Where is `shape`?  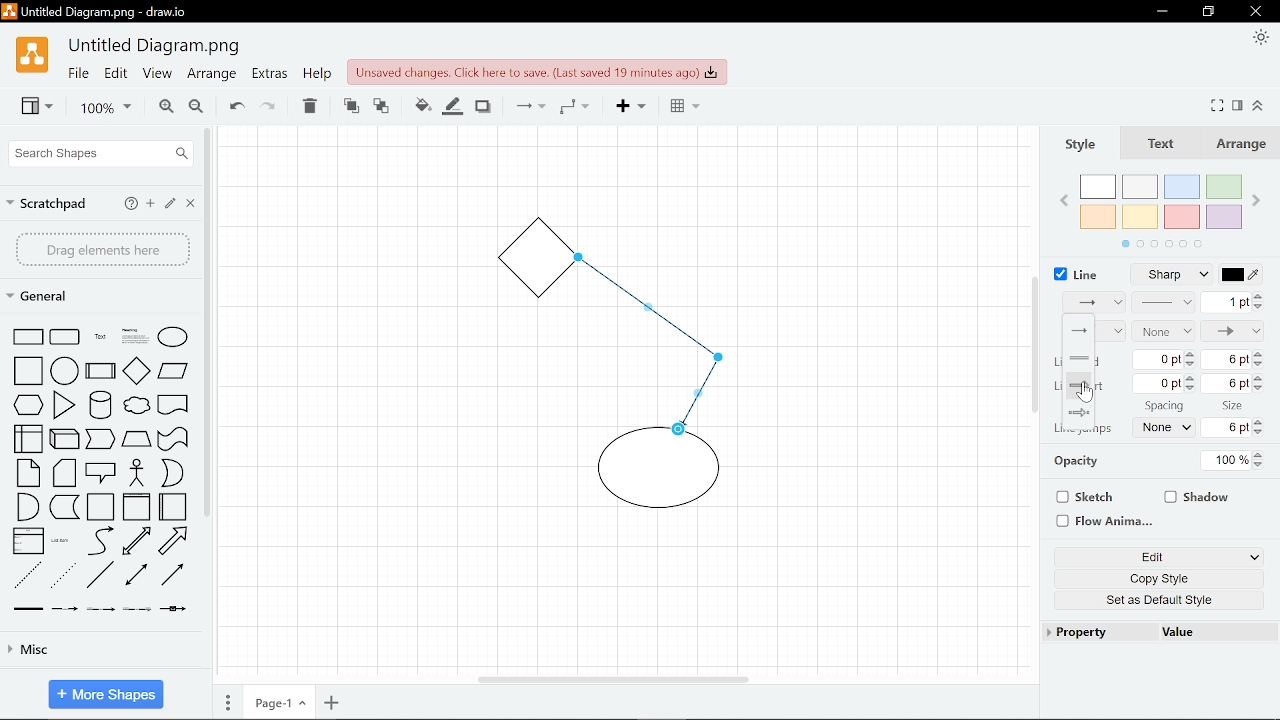 shape is located at coordinates (65, 508).